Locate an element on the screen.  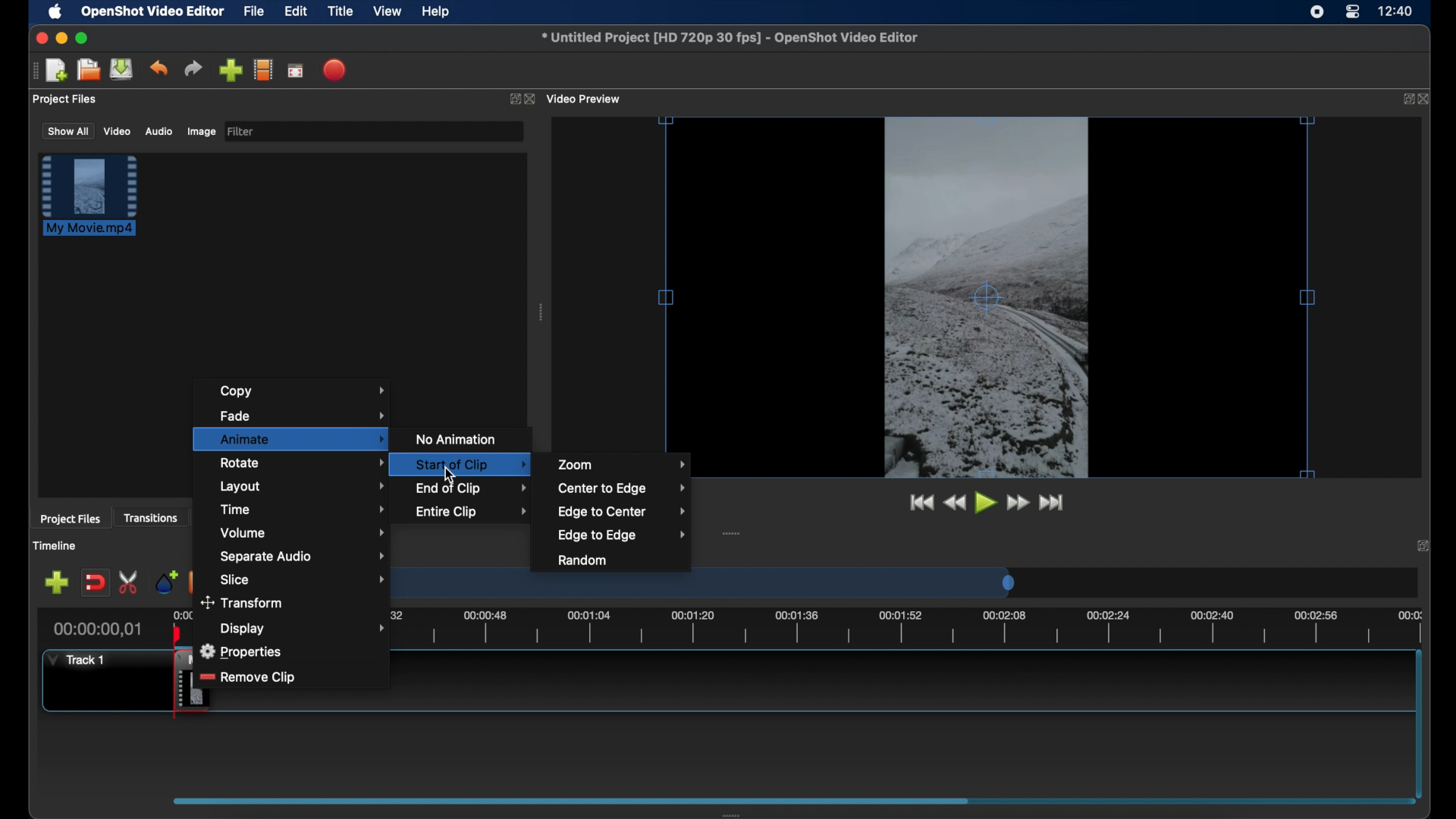
end of clip menu is located at coordinates (473, 488).